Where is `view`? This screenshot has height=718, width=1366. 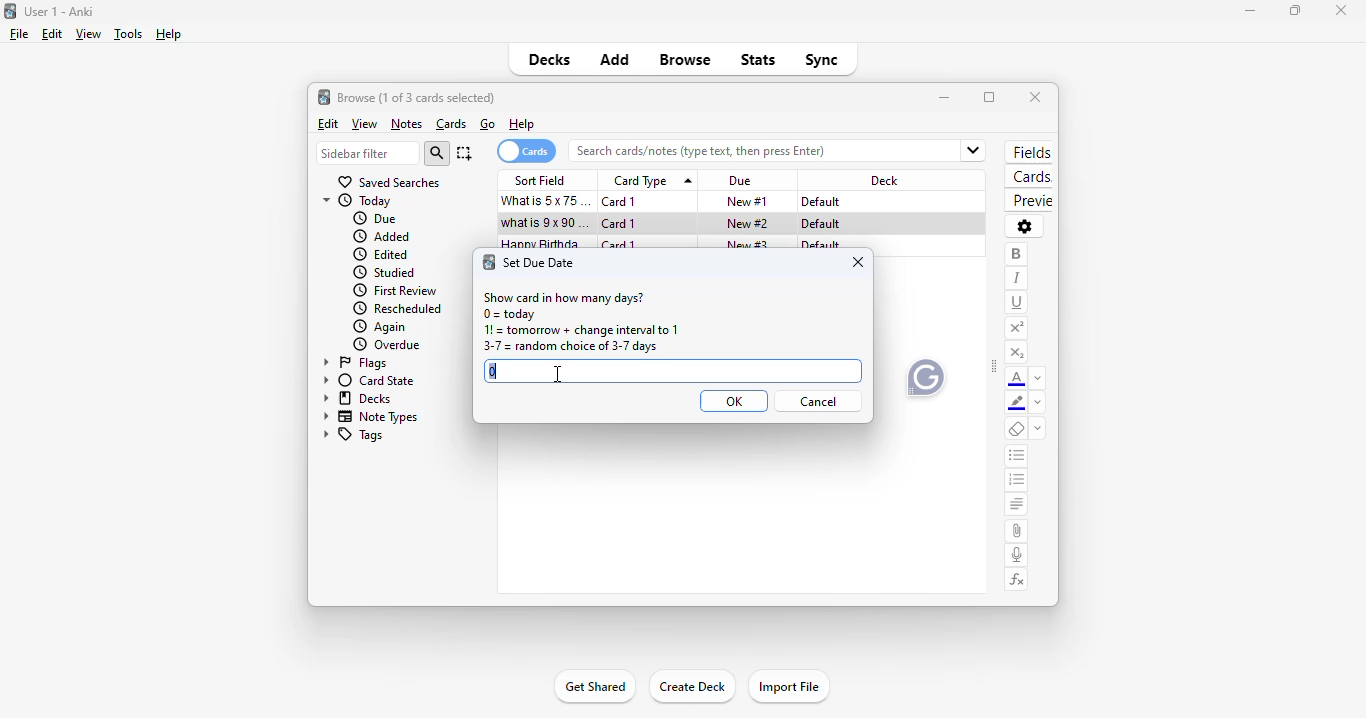 view is located at coordinates (87, 35).